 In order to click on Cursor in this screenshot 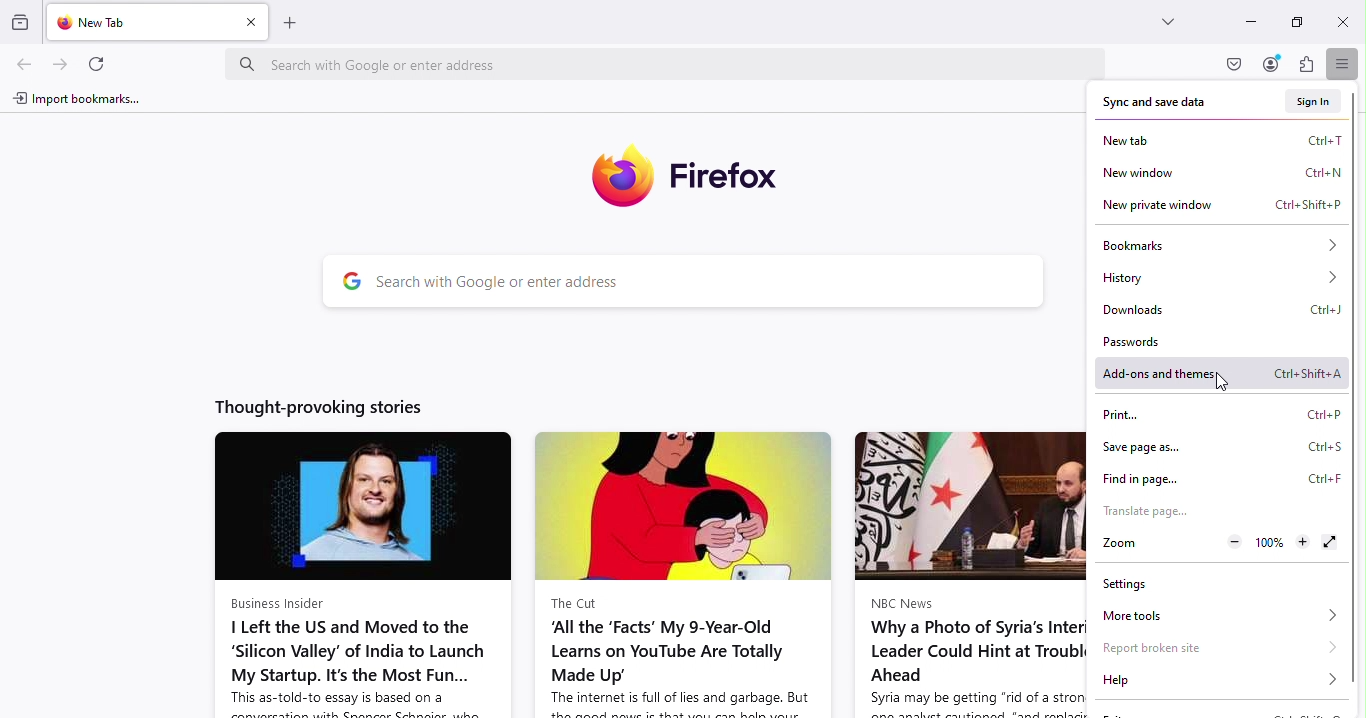, I will do `click(1224, 382)`.